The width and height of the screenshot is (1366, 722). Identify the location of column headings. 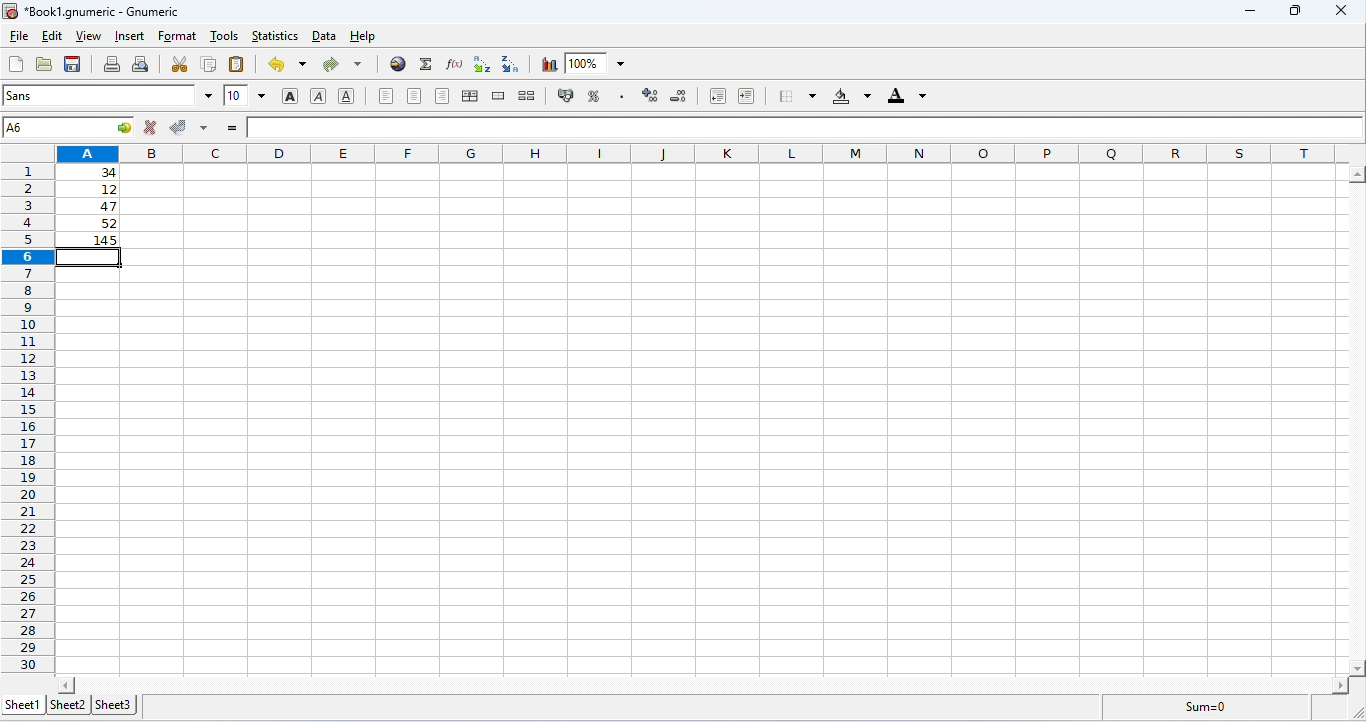
(703, 153).